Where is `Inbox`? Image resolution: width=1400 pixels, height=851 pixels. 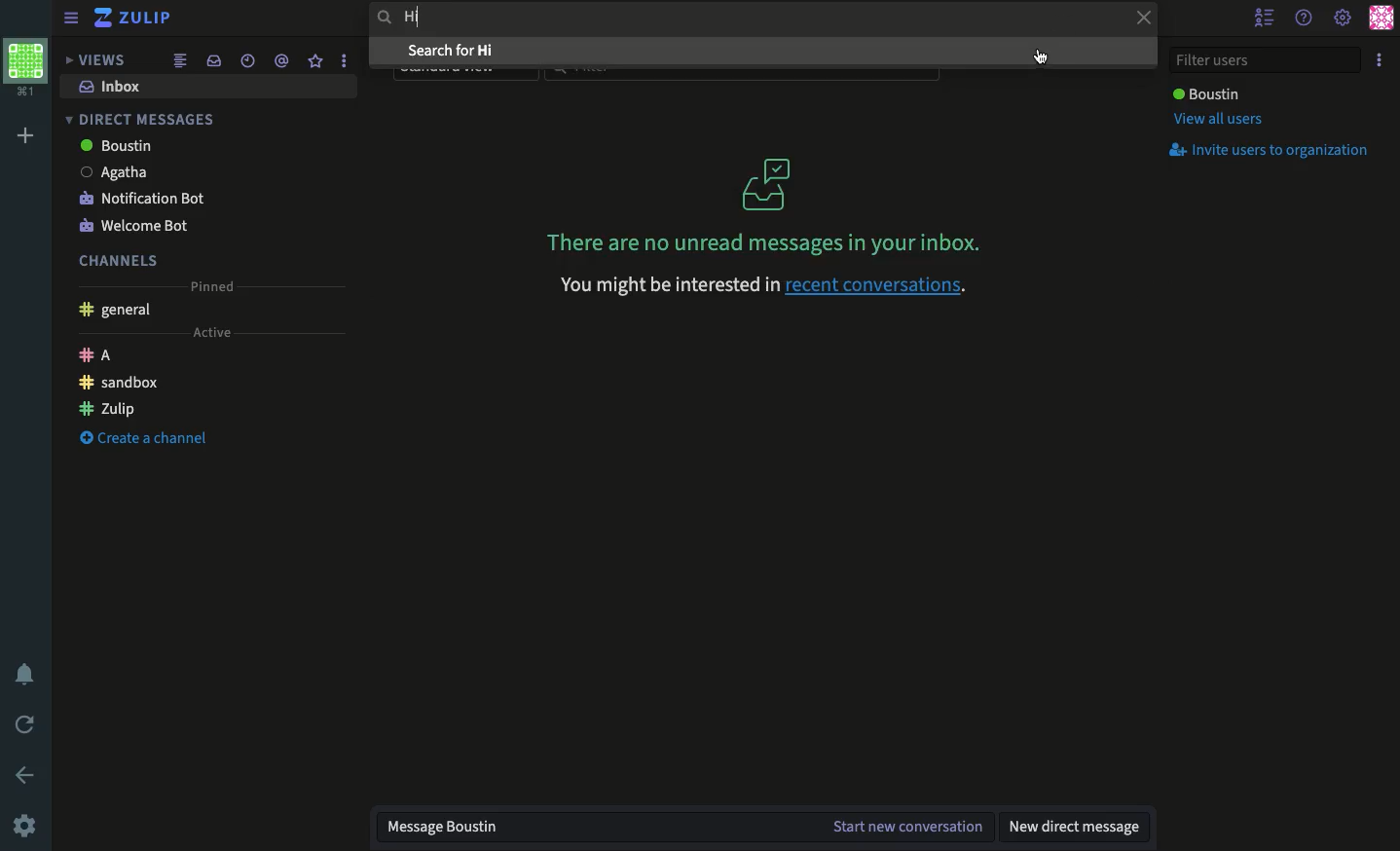 Inbox is located at coordinates (109, 87).